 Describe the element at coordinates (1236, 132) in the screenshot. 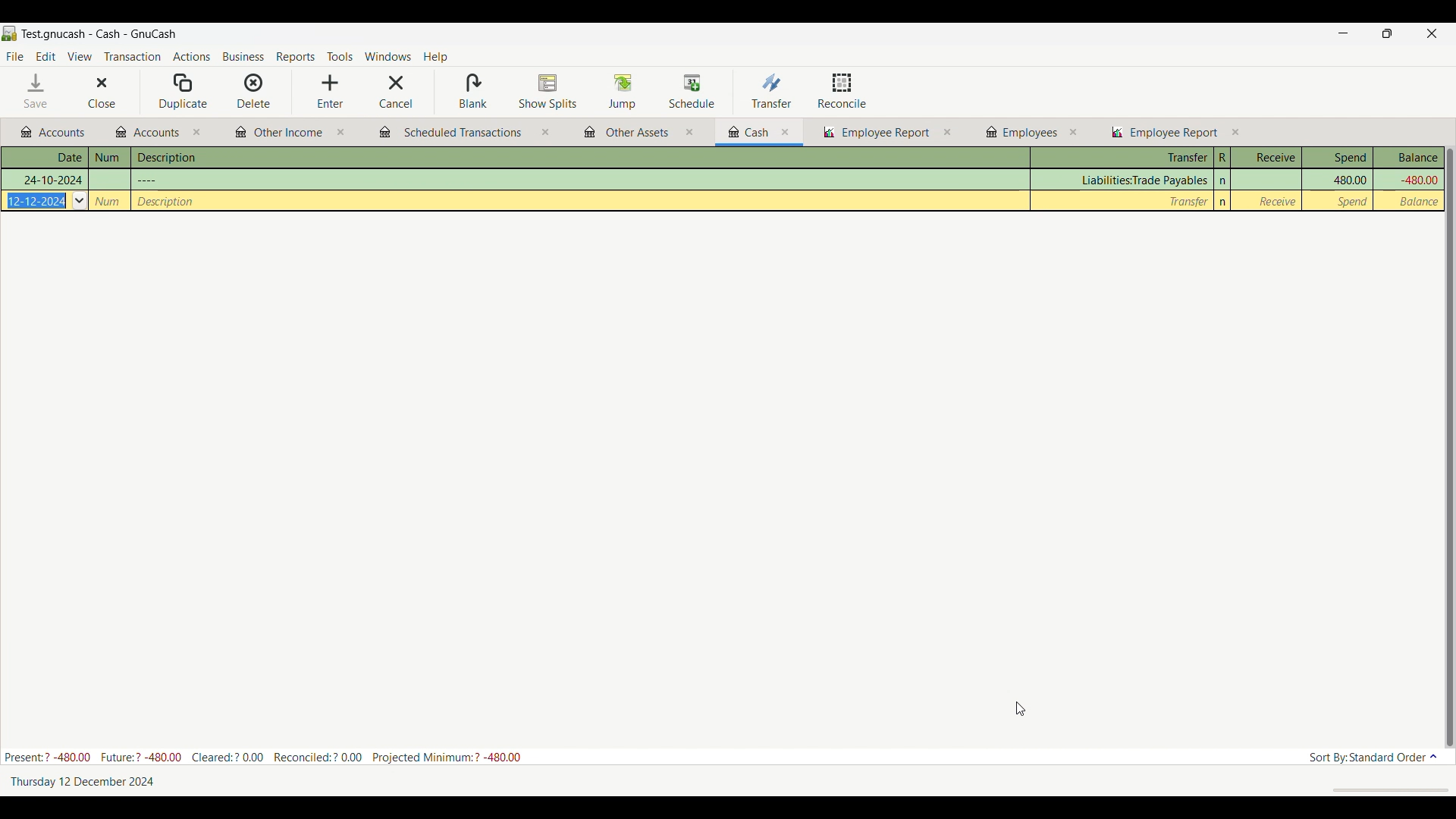

I see `close` at that location.